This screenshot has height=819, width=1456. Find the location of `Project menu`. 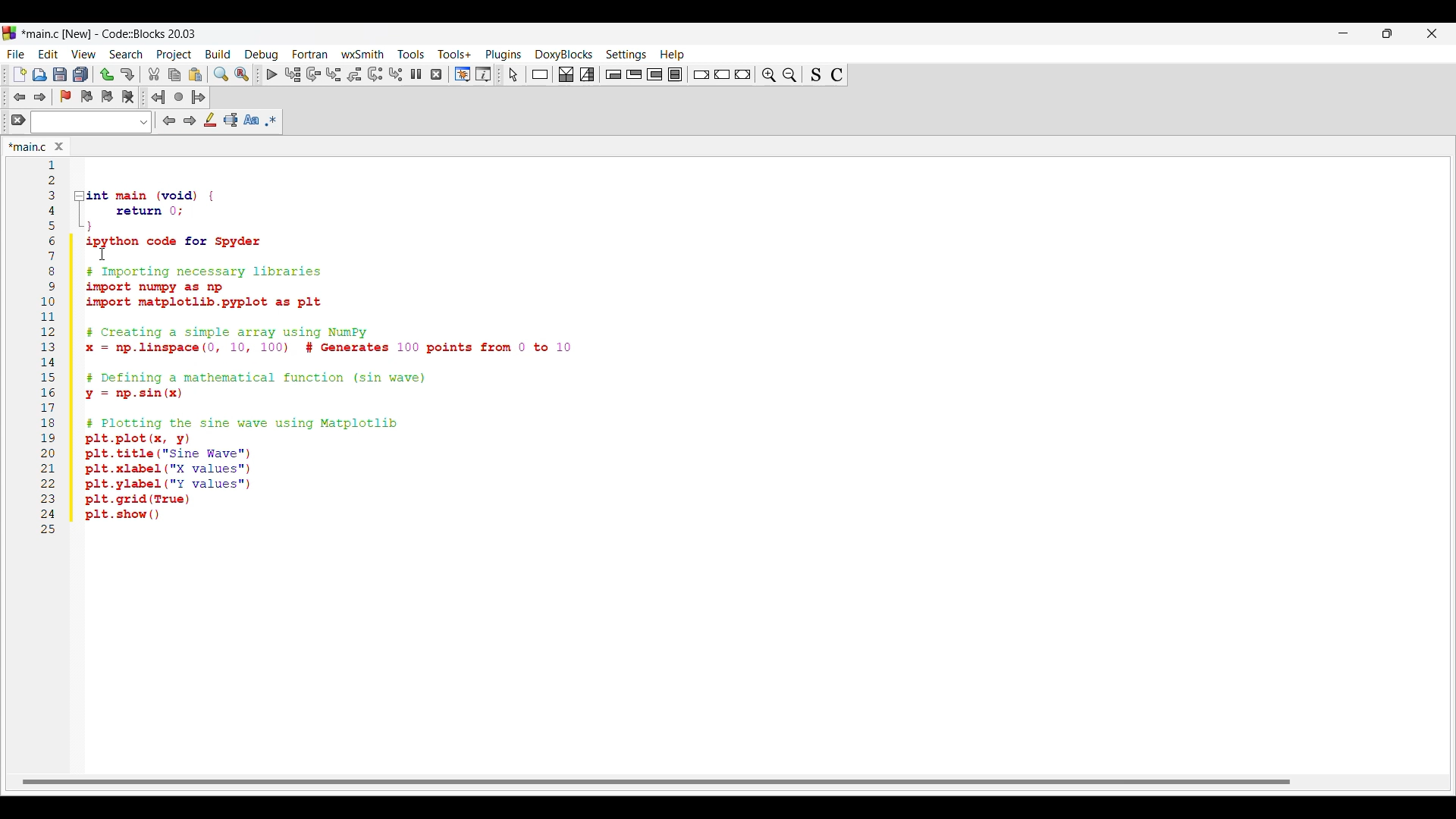

Project menu is located at coordinates (174, 55).